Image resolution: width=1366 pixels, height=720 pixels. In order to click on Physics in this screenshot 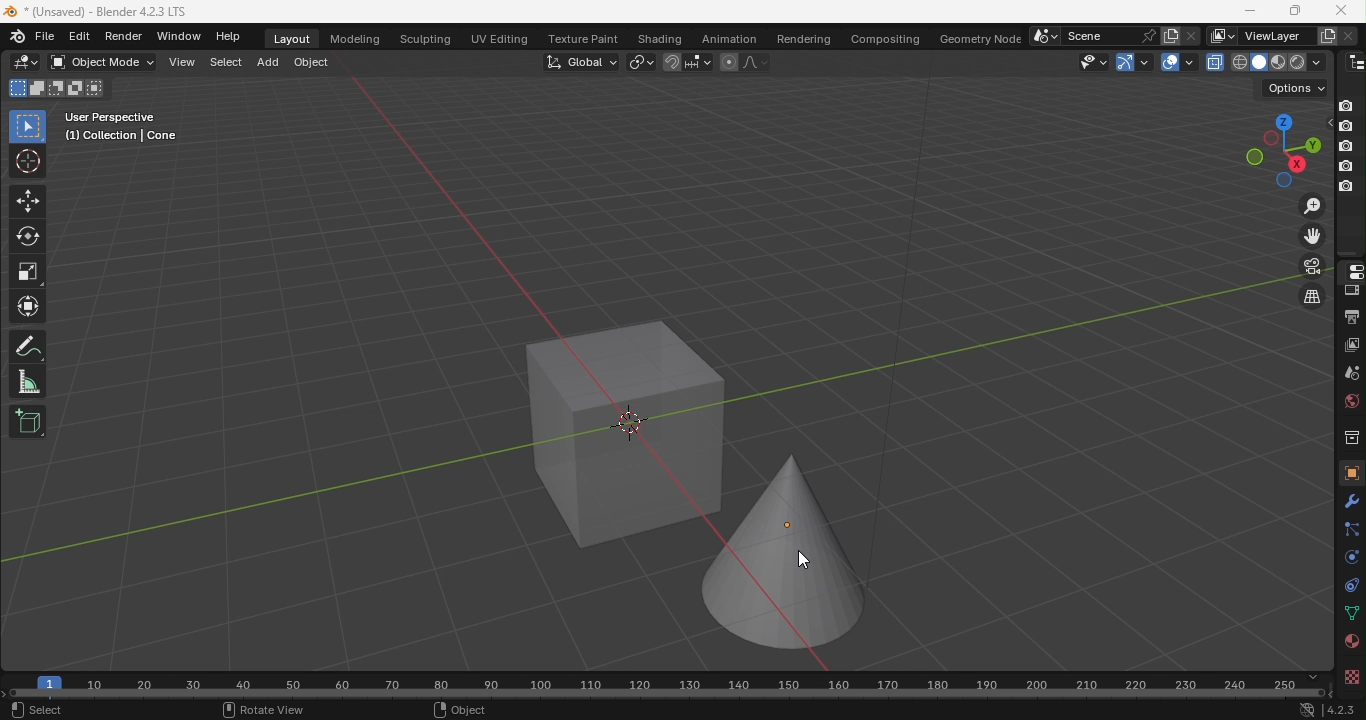, I will do `click(1349, 556)`.